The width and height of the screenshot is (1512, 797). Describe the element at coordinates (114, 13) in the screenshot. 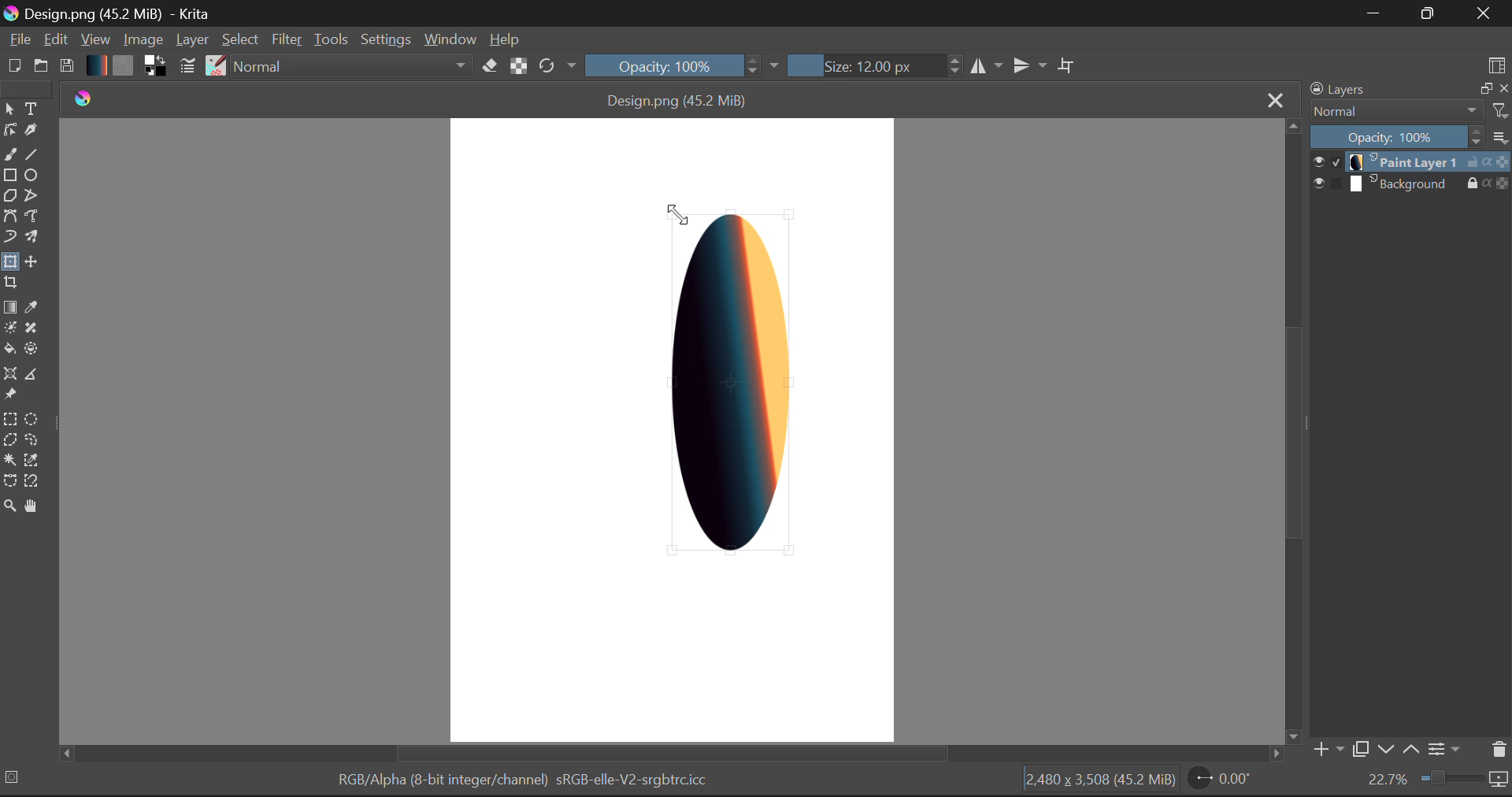

I see `Design.png (45.2) - Krita` at that location.